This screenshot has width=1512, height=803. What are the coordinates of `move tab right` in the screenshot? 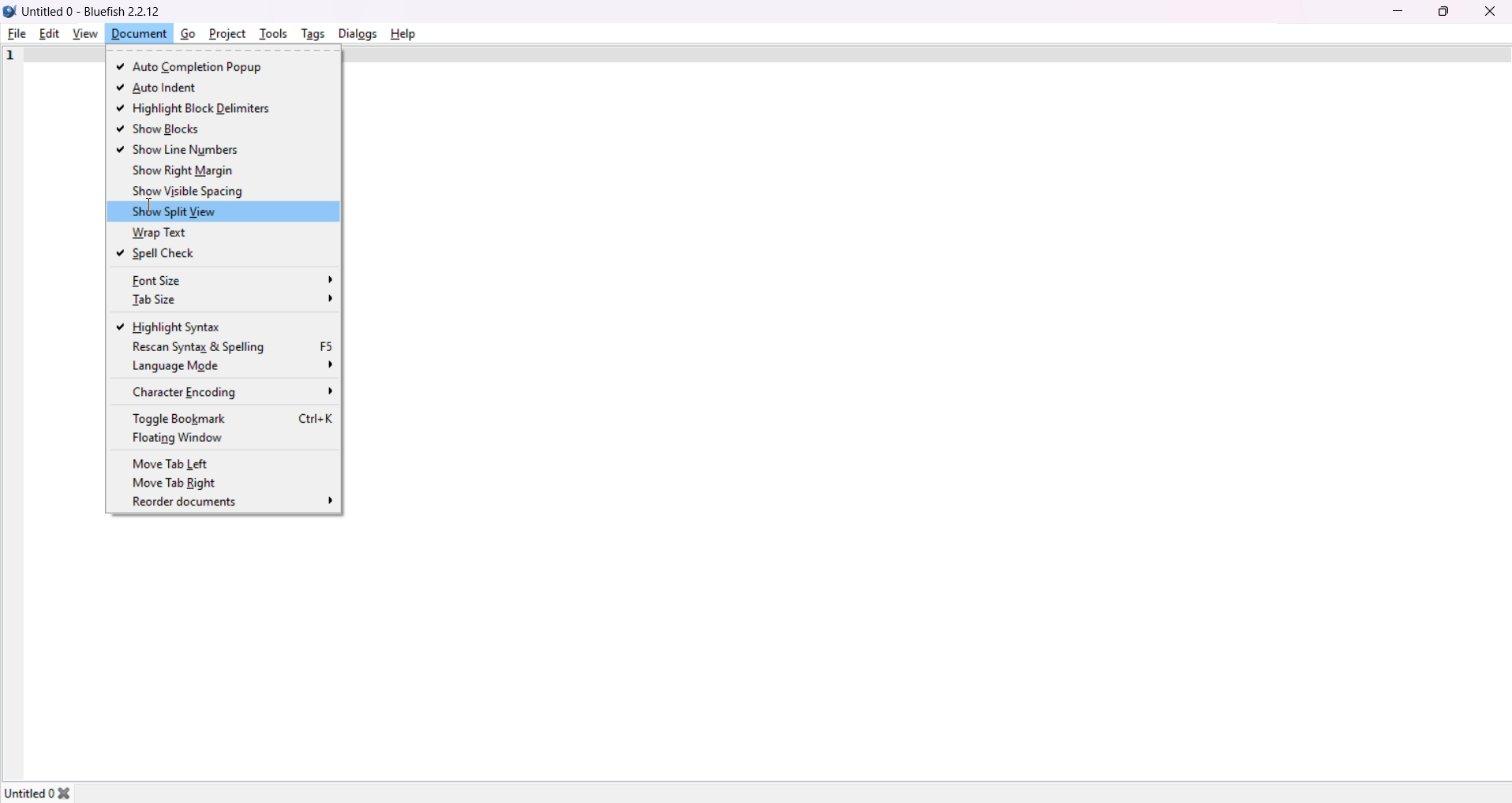 It's located at (181, 484).